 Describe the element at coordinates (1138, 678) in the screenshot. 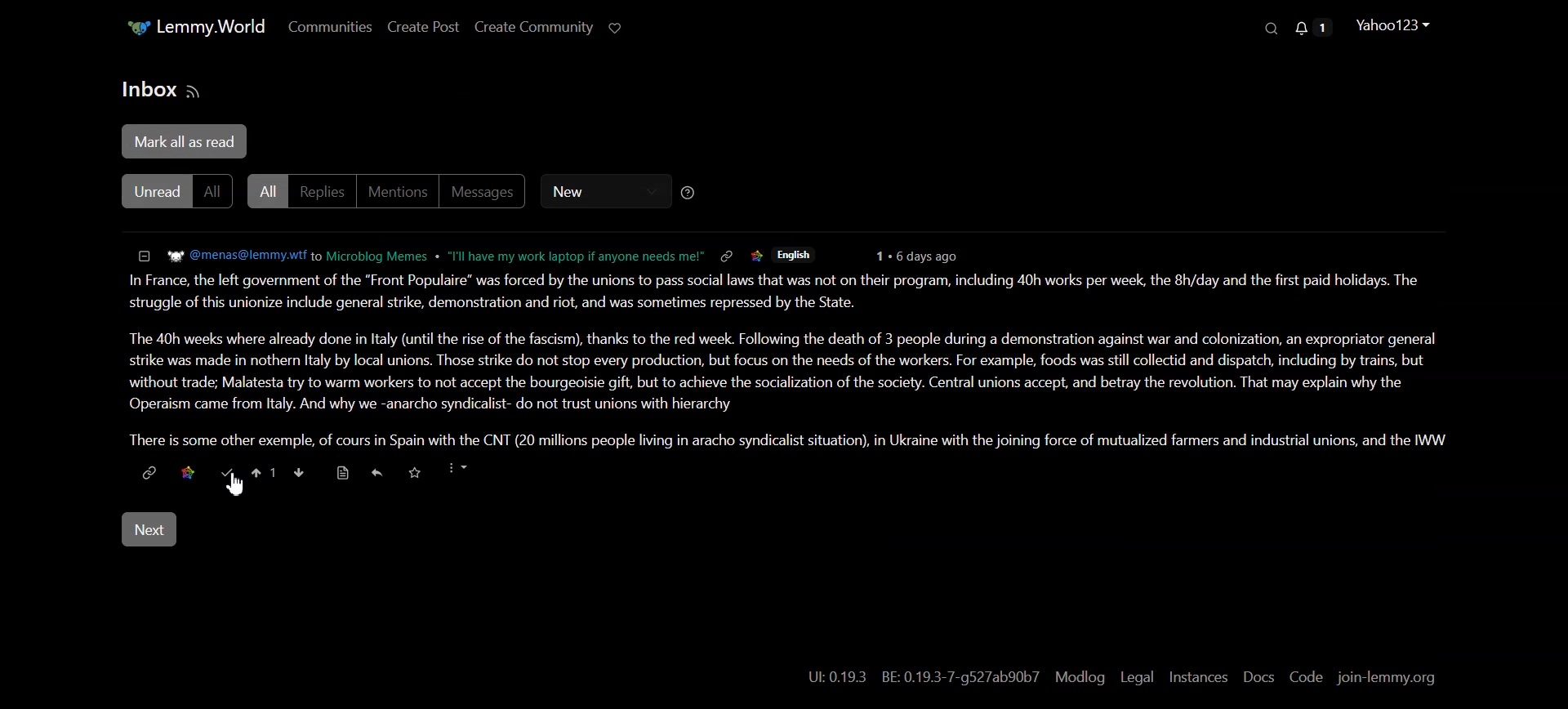

I see `Legal` at that location.